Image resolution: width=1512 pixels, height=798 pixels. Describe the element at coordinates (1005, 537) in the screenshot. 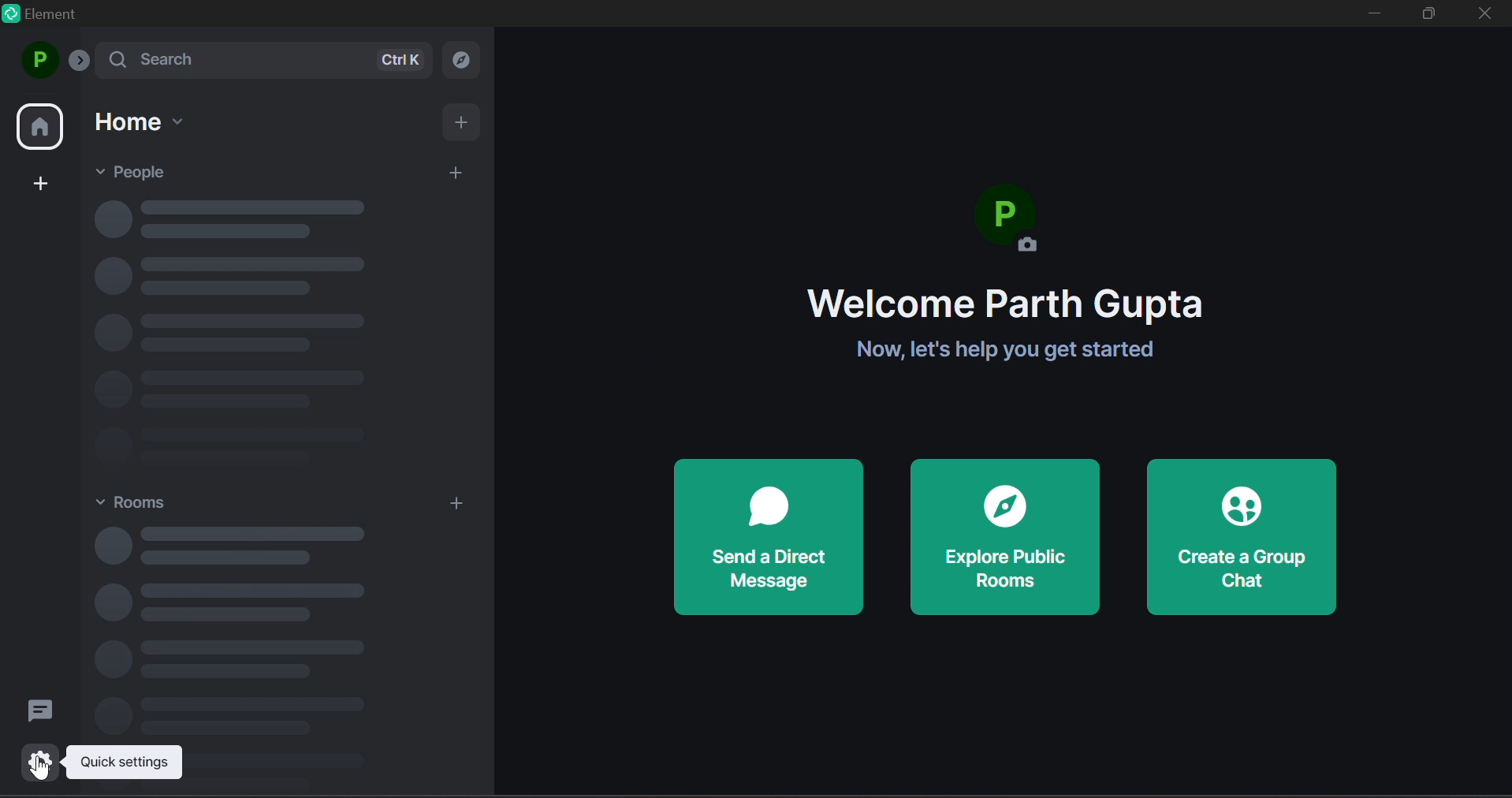

I see `explore public rooms` at that location.